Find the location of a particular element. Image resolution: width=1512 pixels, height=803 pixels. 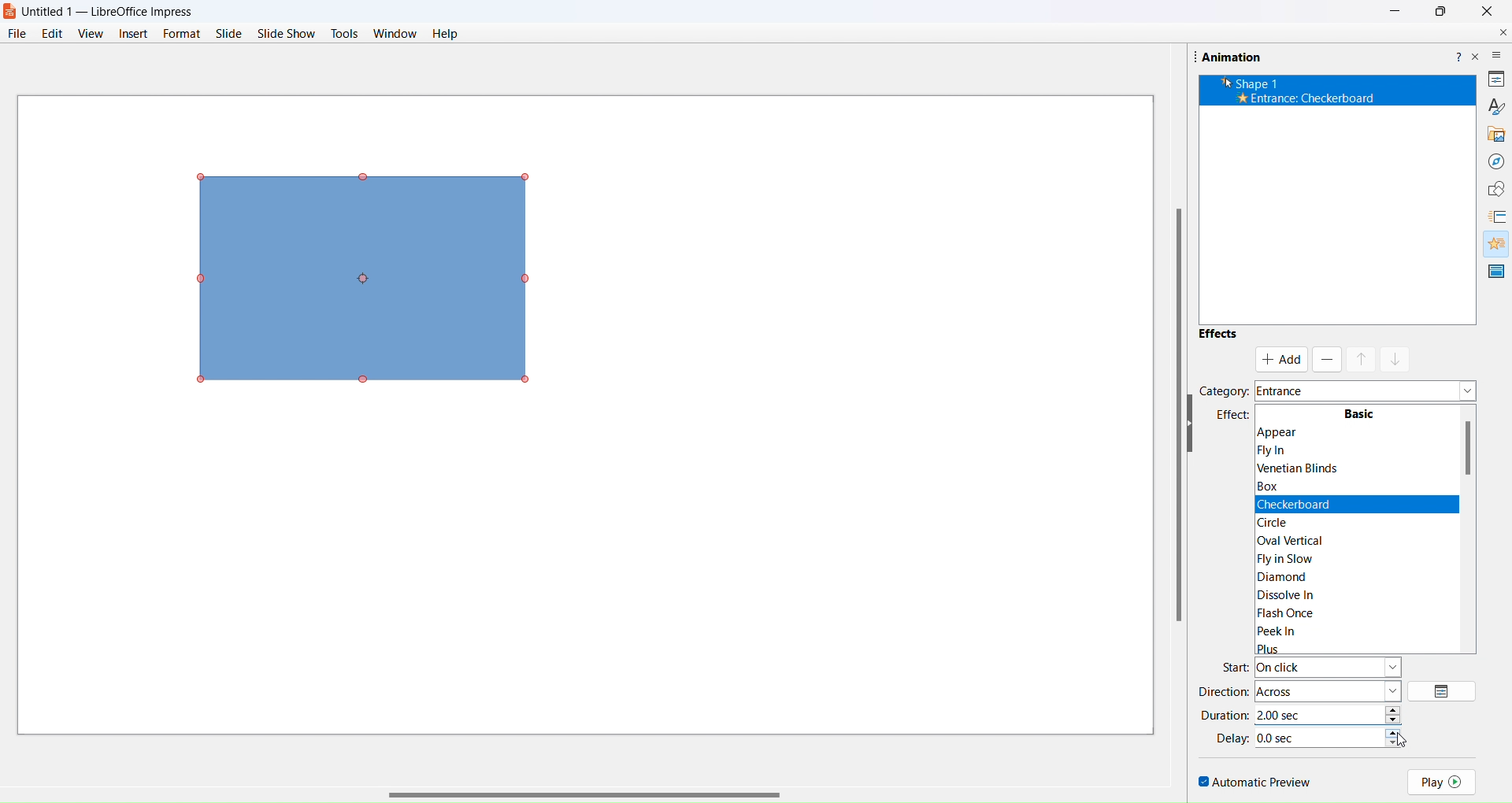

shapes is located at coordinates (1492, 187).